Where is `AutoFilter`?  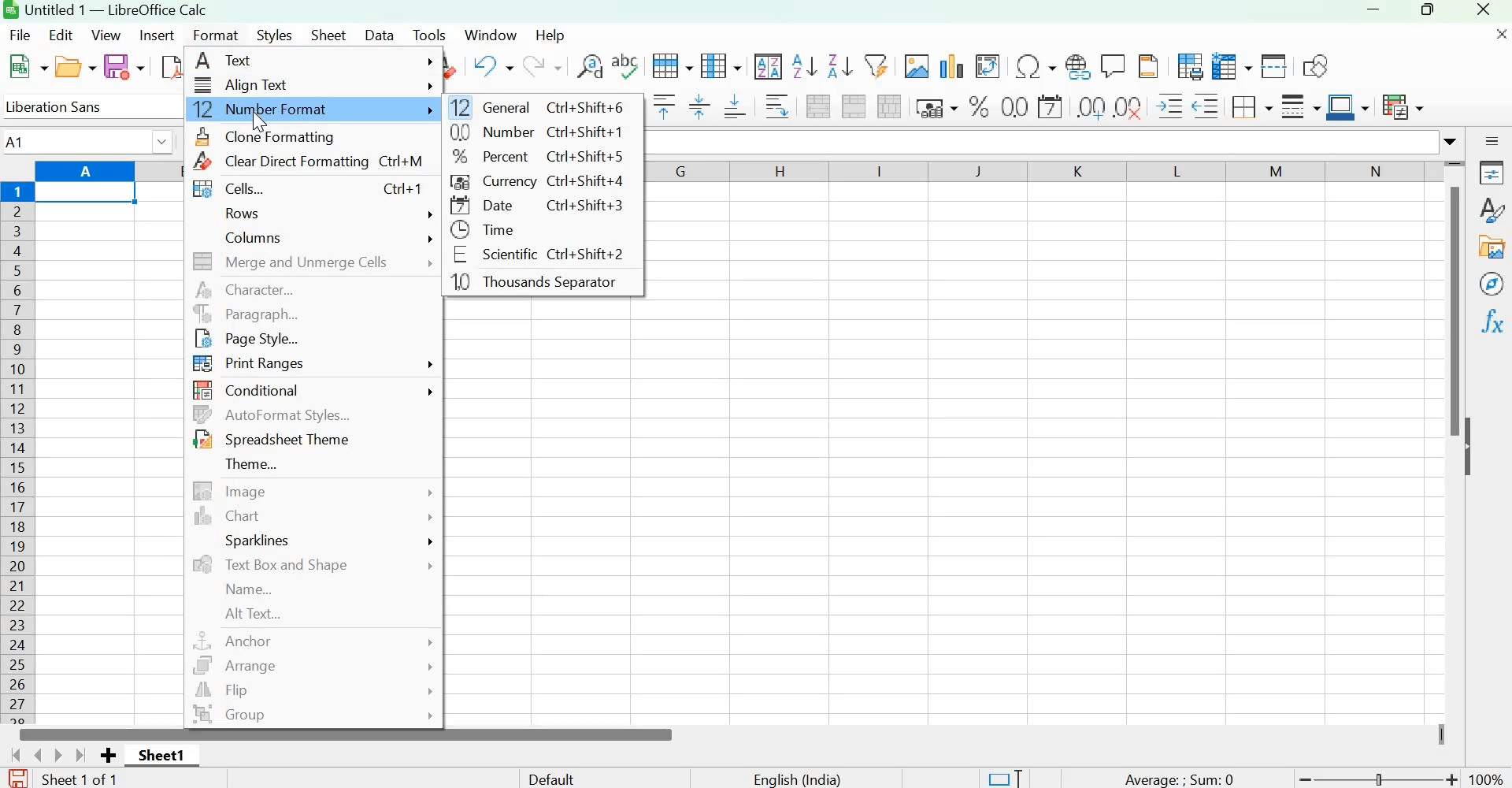
AutoFilter is located at coordinates (875, 64).